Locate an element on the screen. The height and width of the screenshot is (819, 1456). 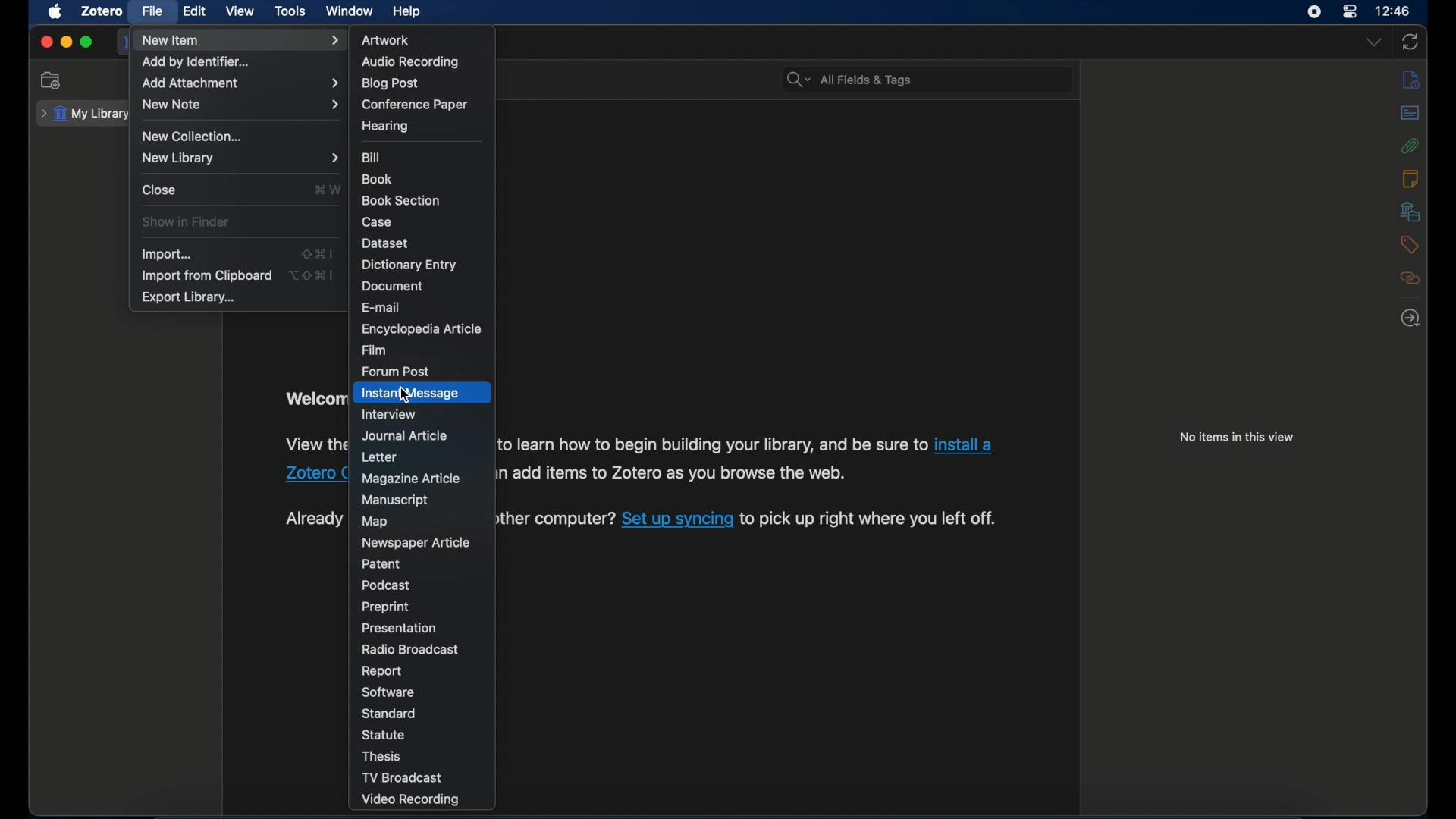
film is located at coordinates (374, 350).